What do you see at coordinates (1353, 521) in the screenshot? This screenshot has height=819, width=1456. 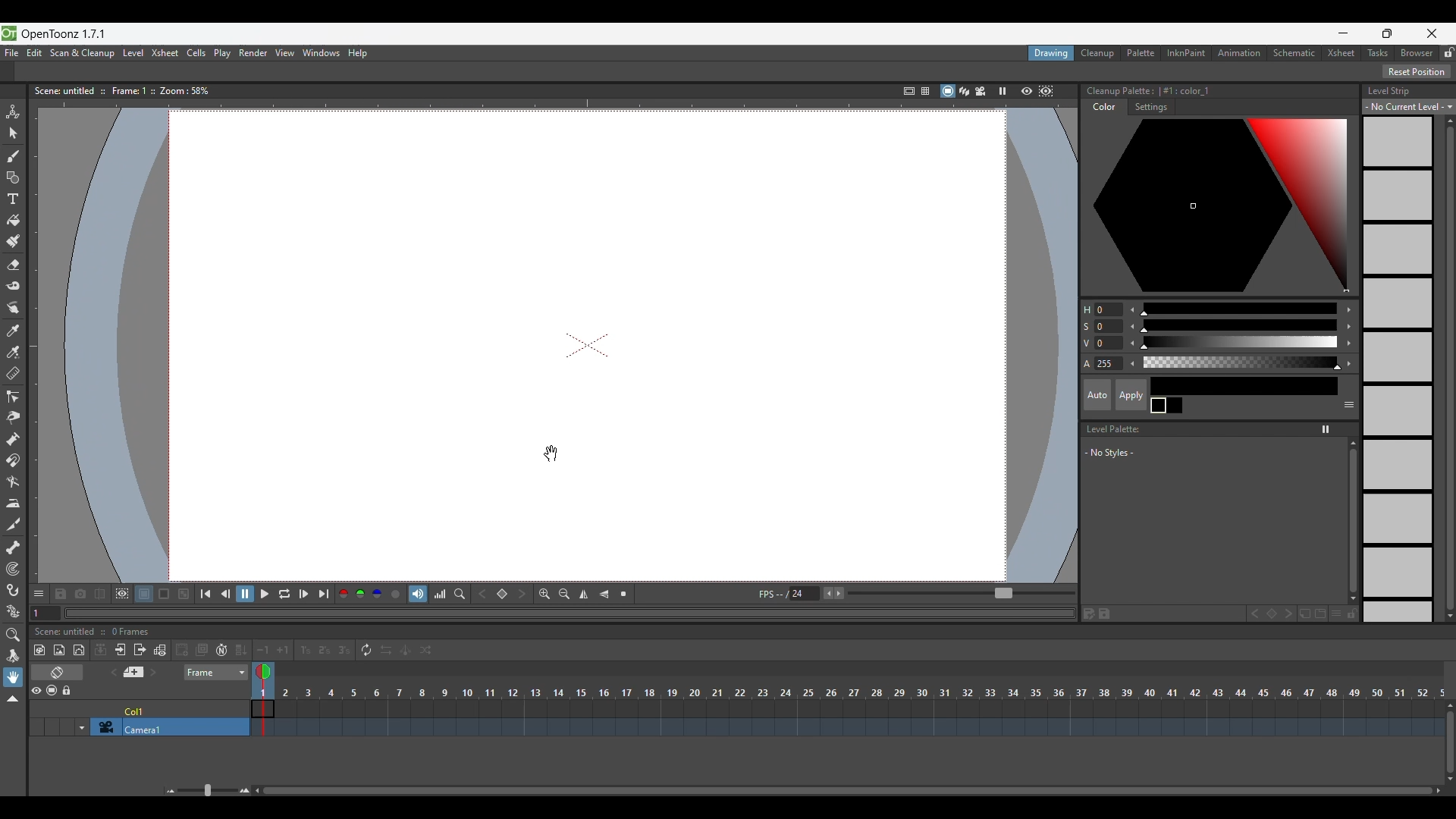 I see `Vertical slide bar` at bounding box center [1353, 521].